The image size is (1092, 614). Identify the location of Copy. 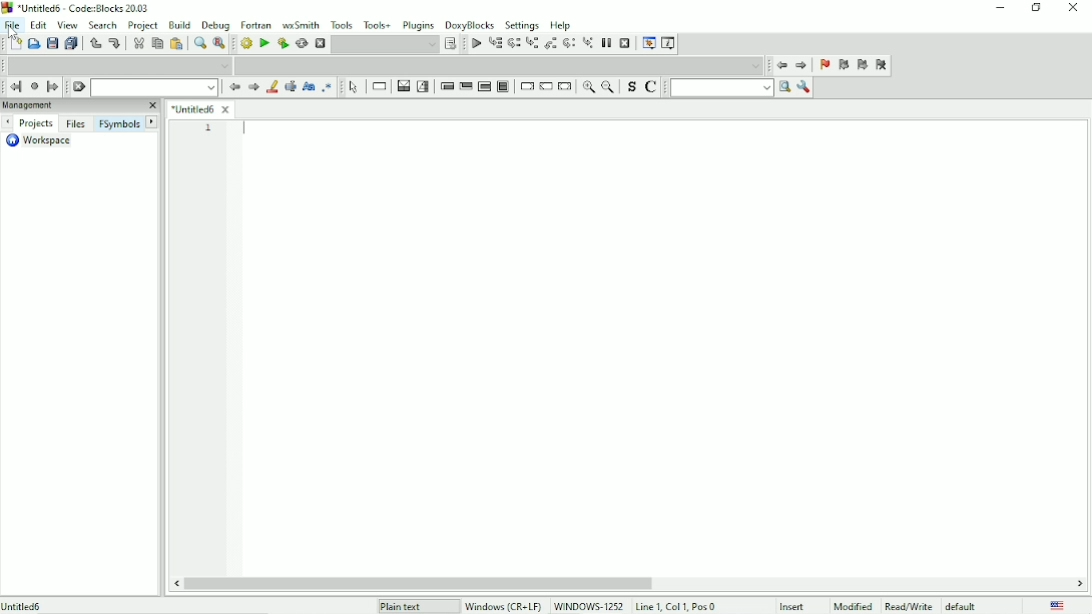
(156, 43).